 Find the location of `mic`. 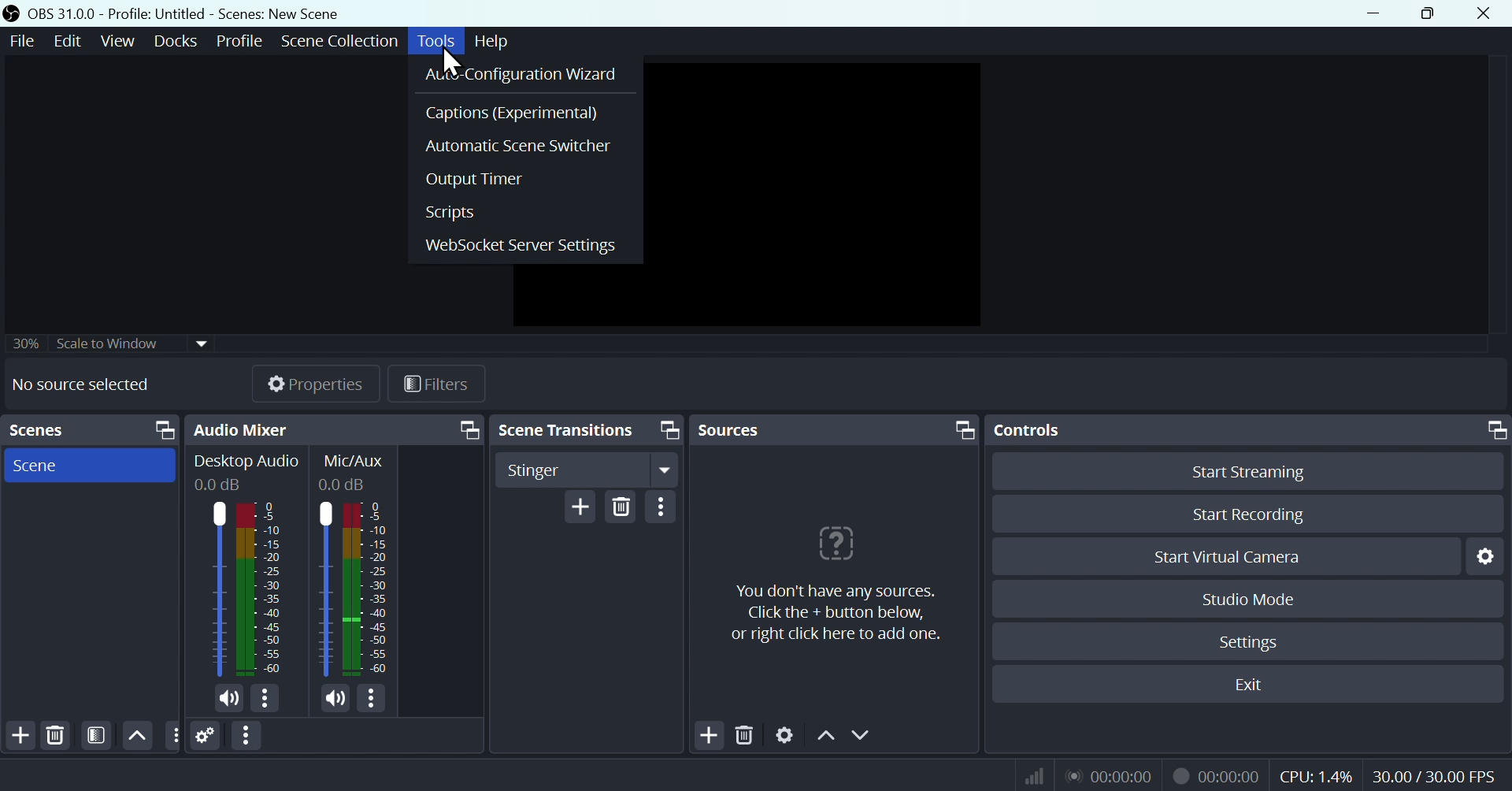

mic is located at coordinates (336, 697).